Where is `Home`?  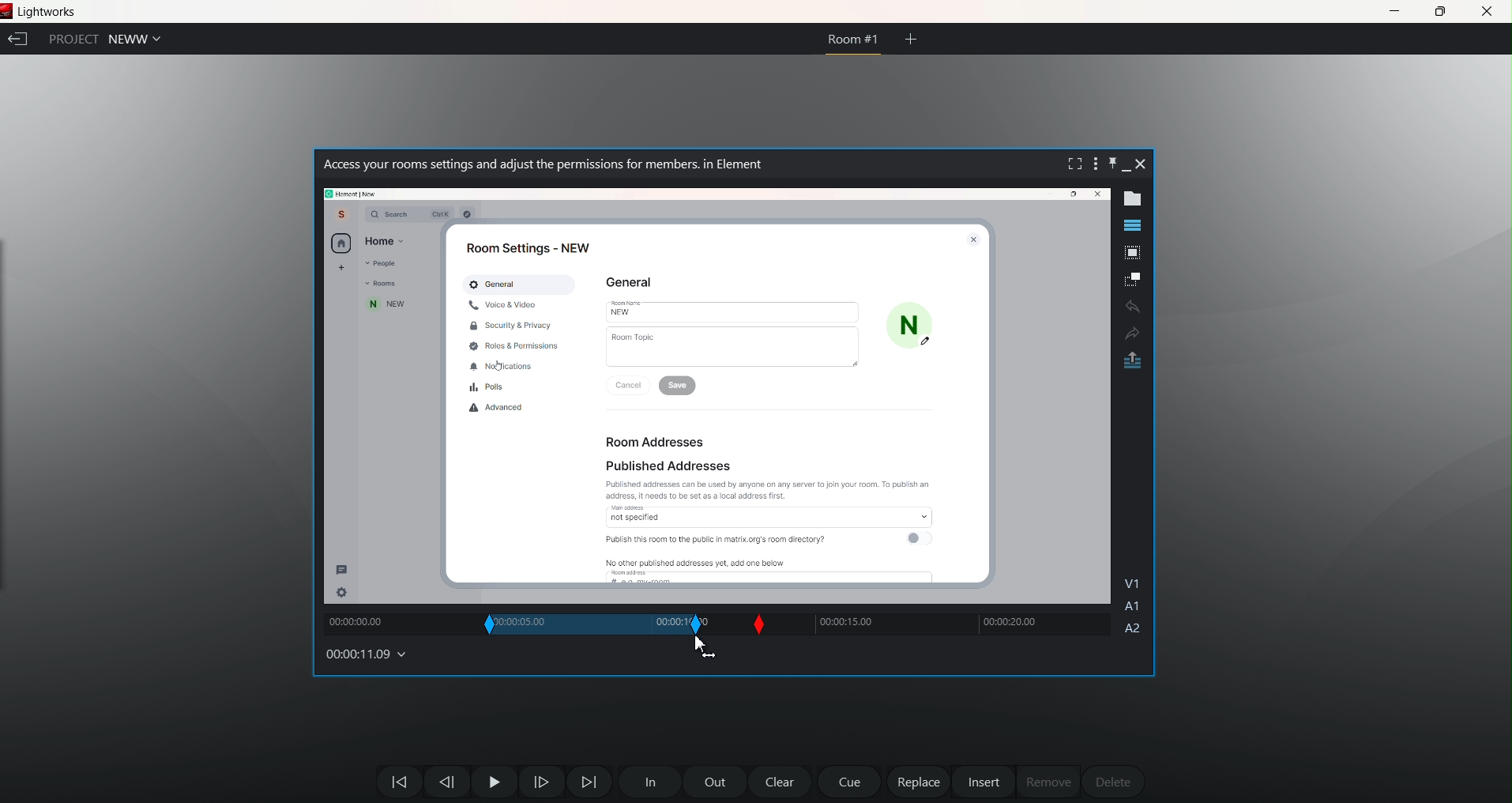 Home is located at coordinates (386, 241).